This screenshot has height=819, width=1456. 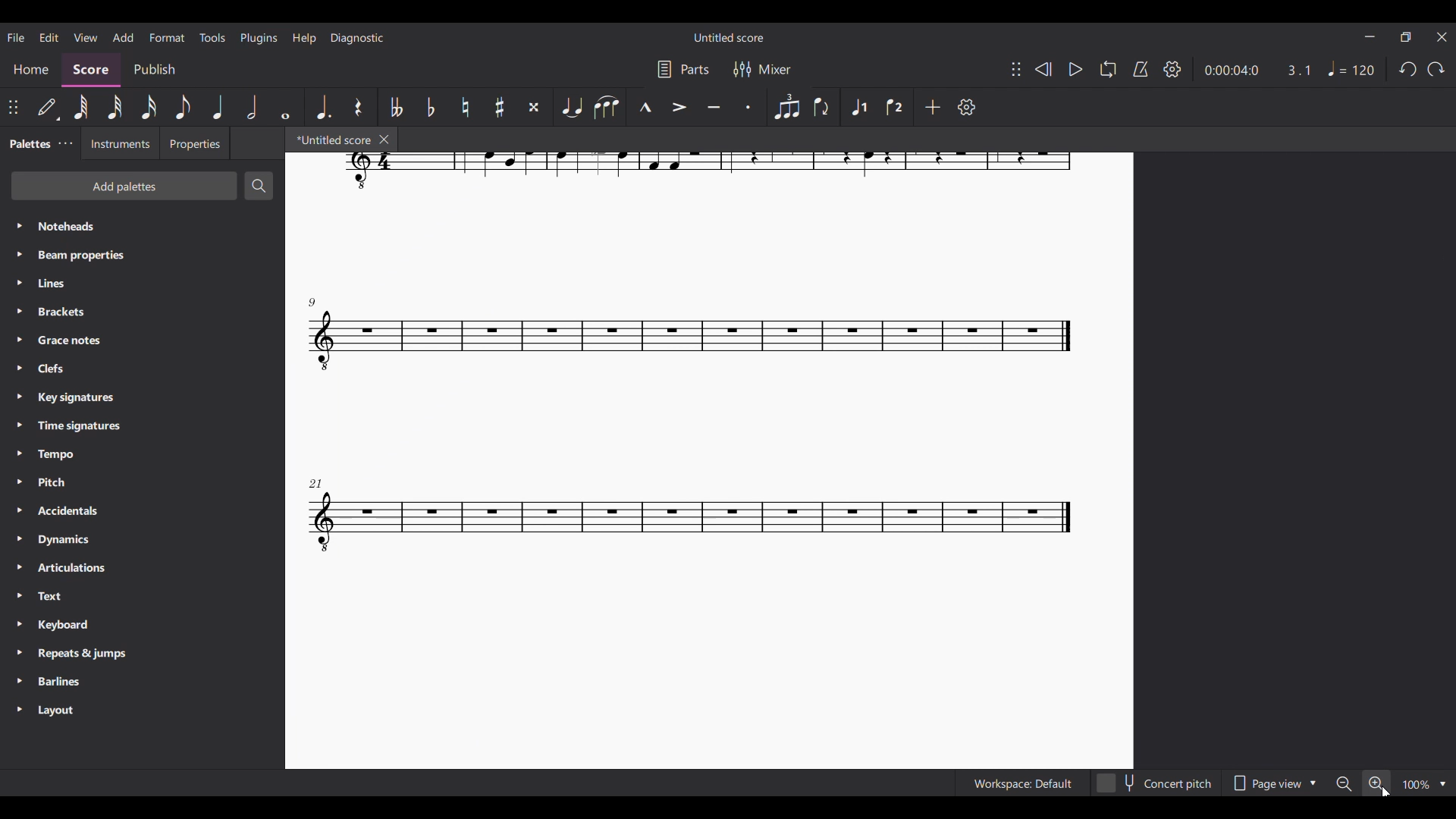 I want to click on Metronome, so click(x=1141, y=70).